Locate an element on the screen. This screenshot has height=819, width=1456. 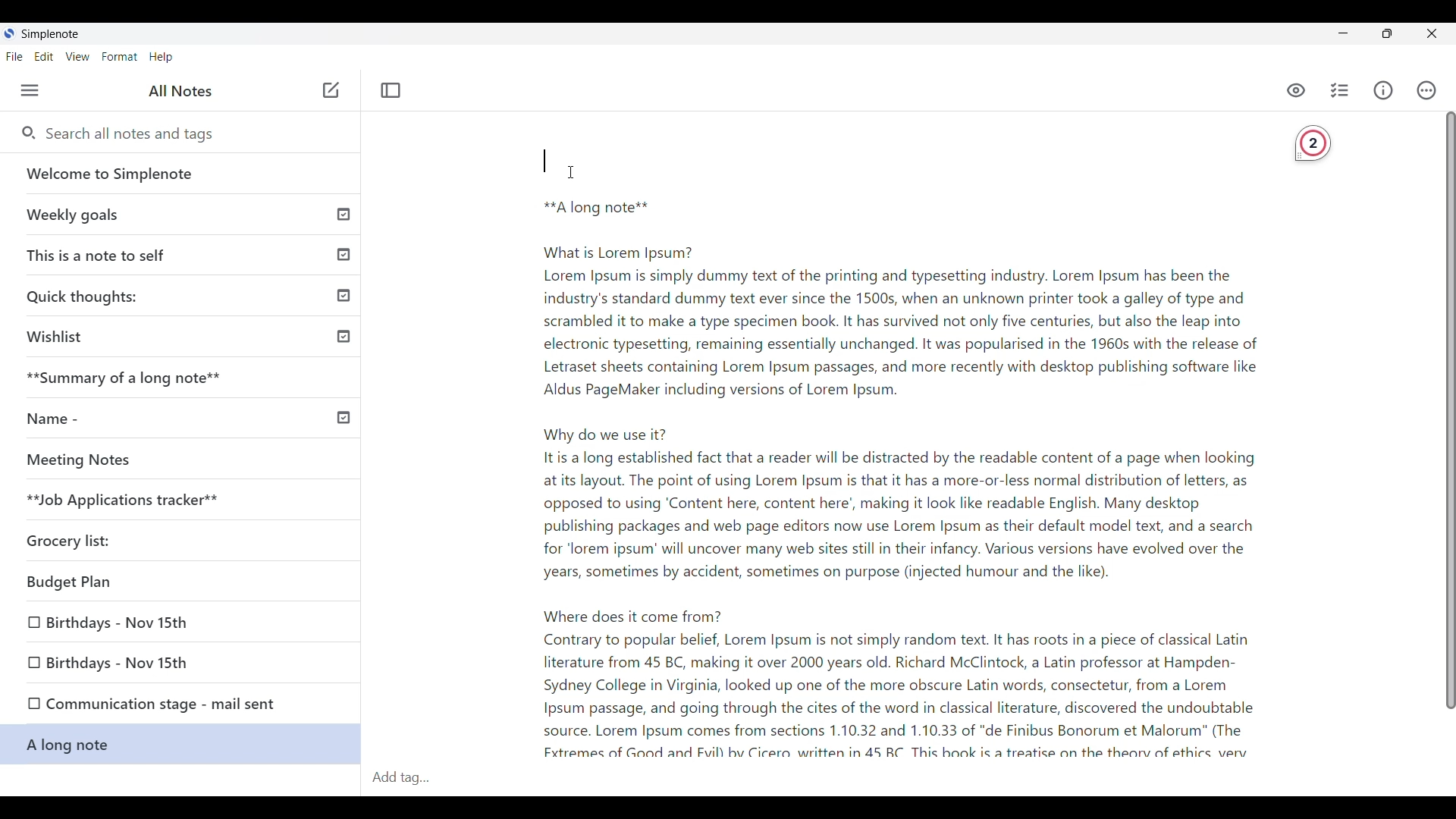
All notes is located at coordinates (180, 90).